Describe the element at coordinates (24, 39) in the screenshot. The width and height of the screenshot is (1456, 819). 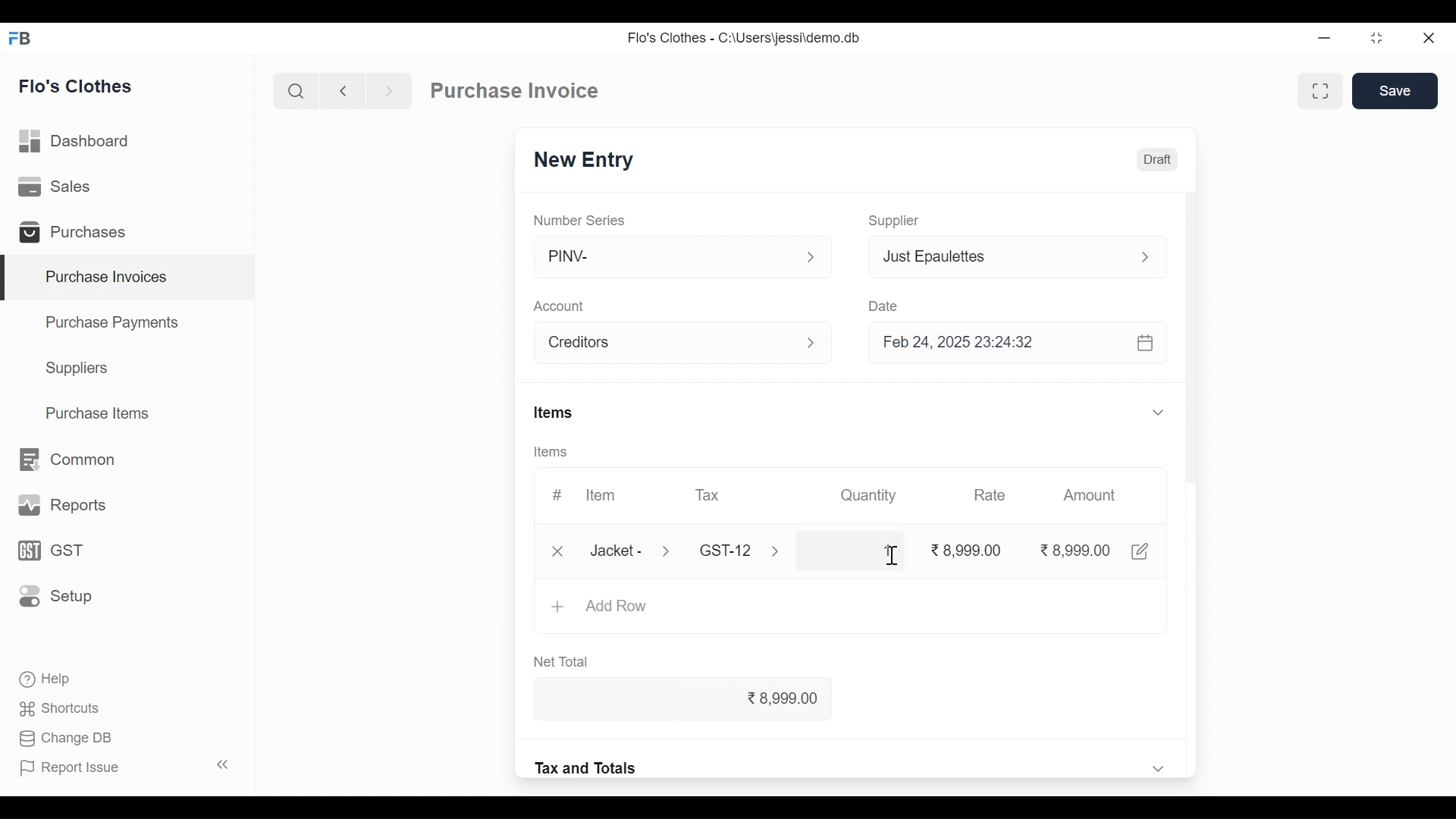
I see `Frappe Desktop icon` at that location.